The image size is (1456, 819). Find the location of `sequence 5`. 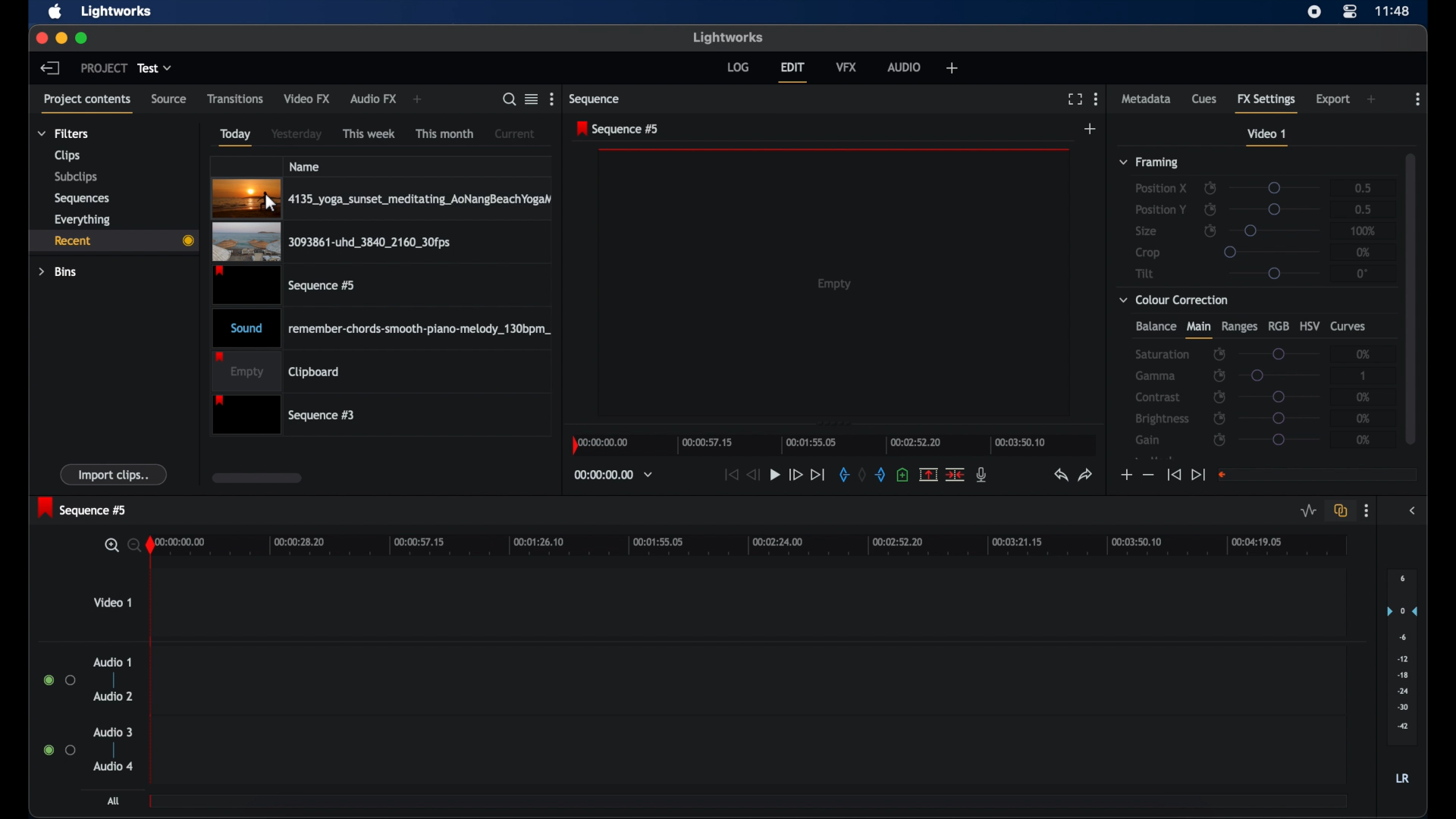

sequence 5 is located at coordinates (618, 130).